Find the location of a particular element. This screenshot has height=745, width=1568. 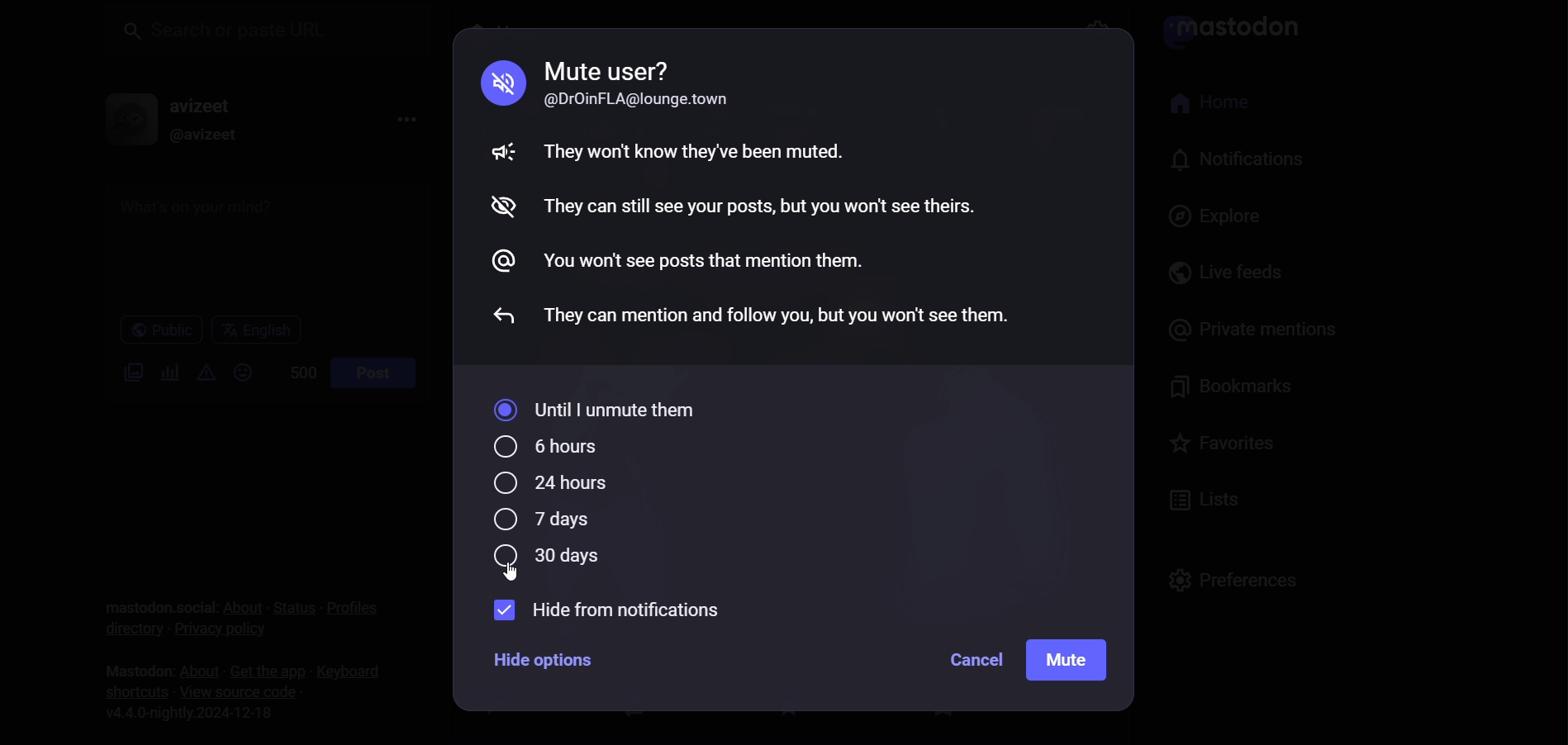

7 days is located at coordinates (541, 520).